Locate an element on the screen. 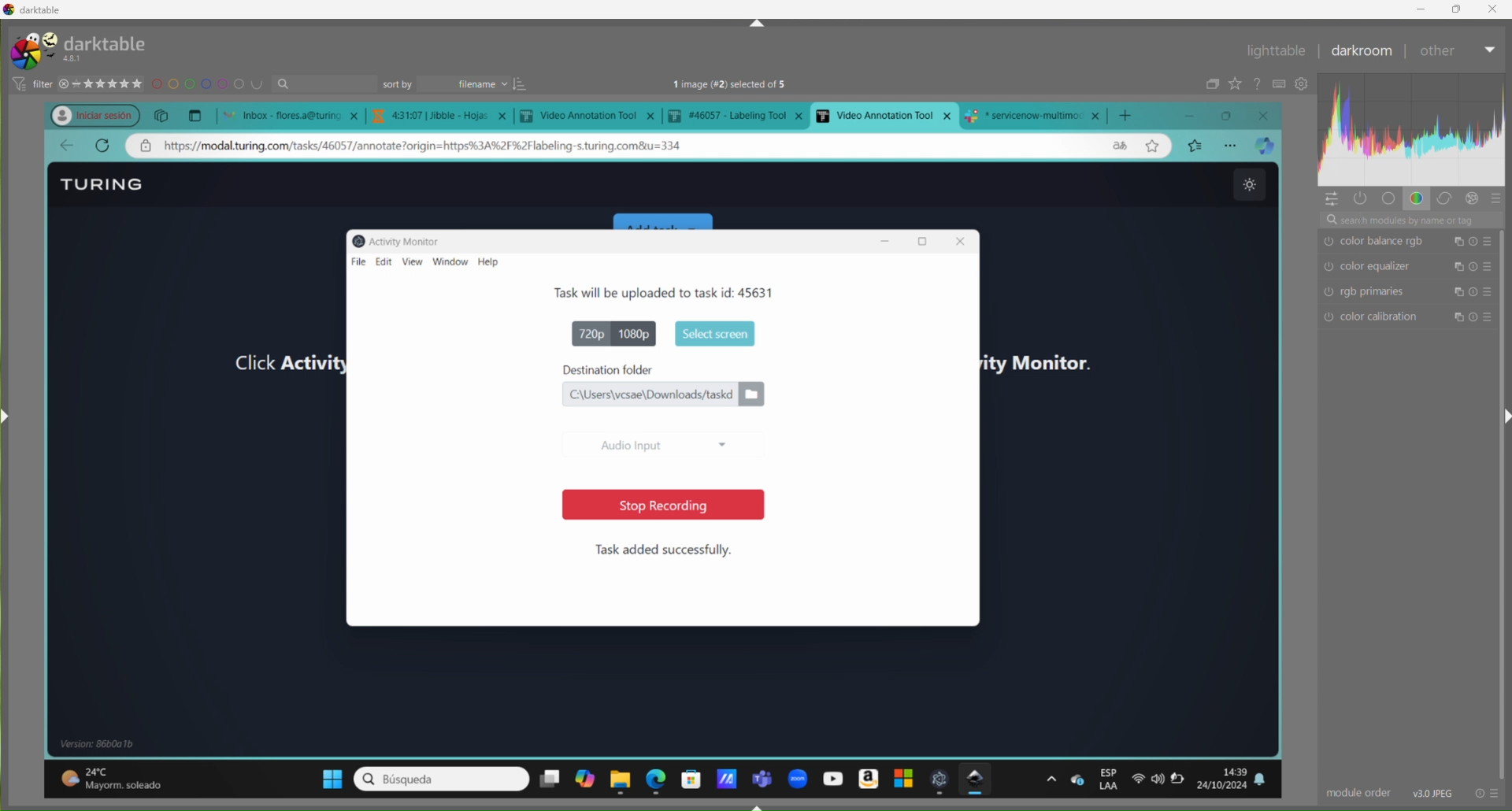 The width and height of the screenshot is (1512, 811). rgb primaries is located at coordinates (1403, 293).